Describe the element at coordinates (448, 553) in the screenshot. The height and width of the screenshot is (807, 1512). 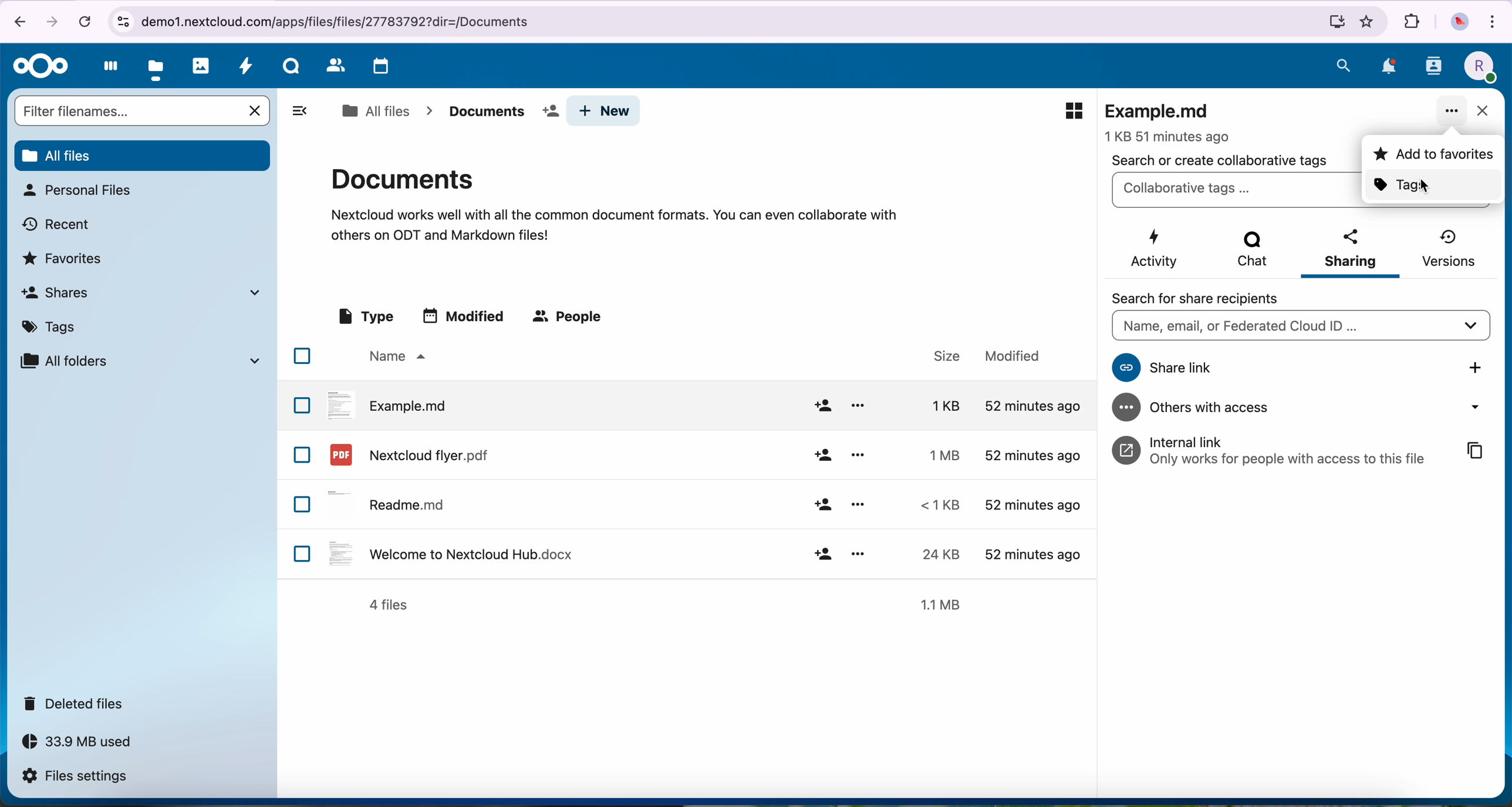
I see `welcome to nextcloud hub.docx` at that location.